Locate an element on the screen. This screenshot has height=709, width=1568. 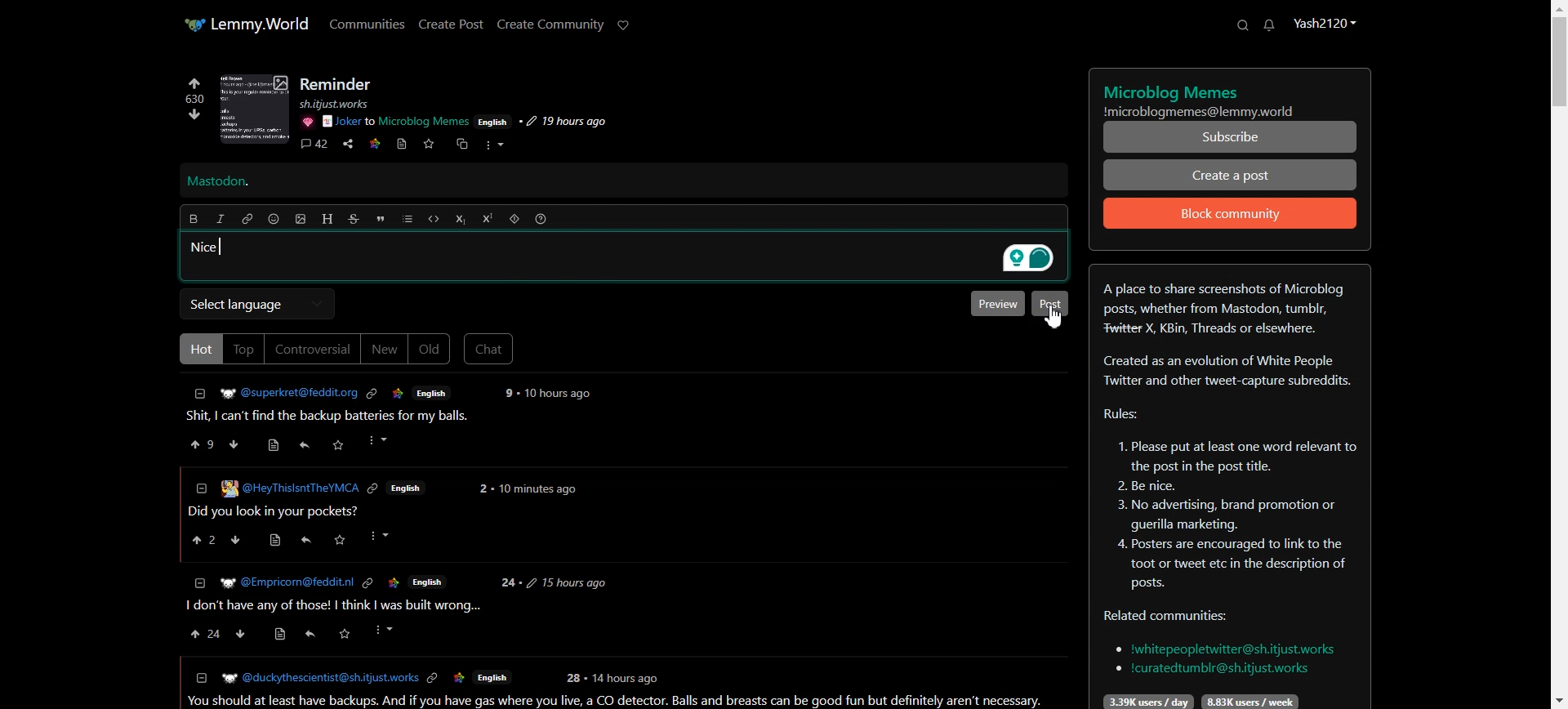
 is located at coordinates (344, 104).